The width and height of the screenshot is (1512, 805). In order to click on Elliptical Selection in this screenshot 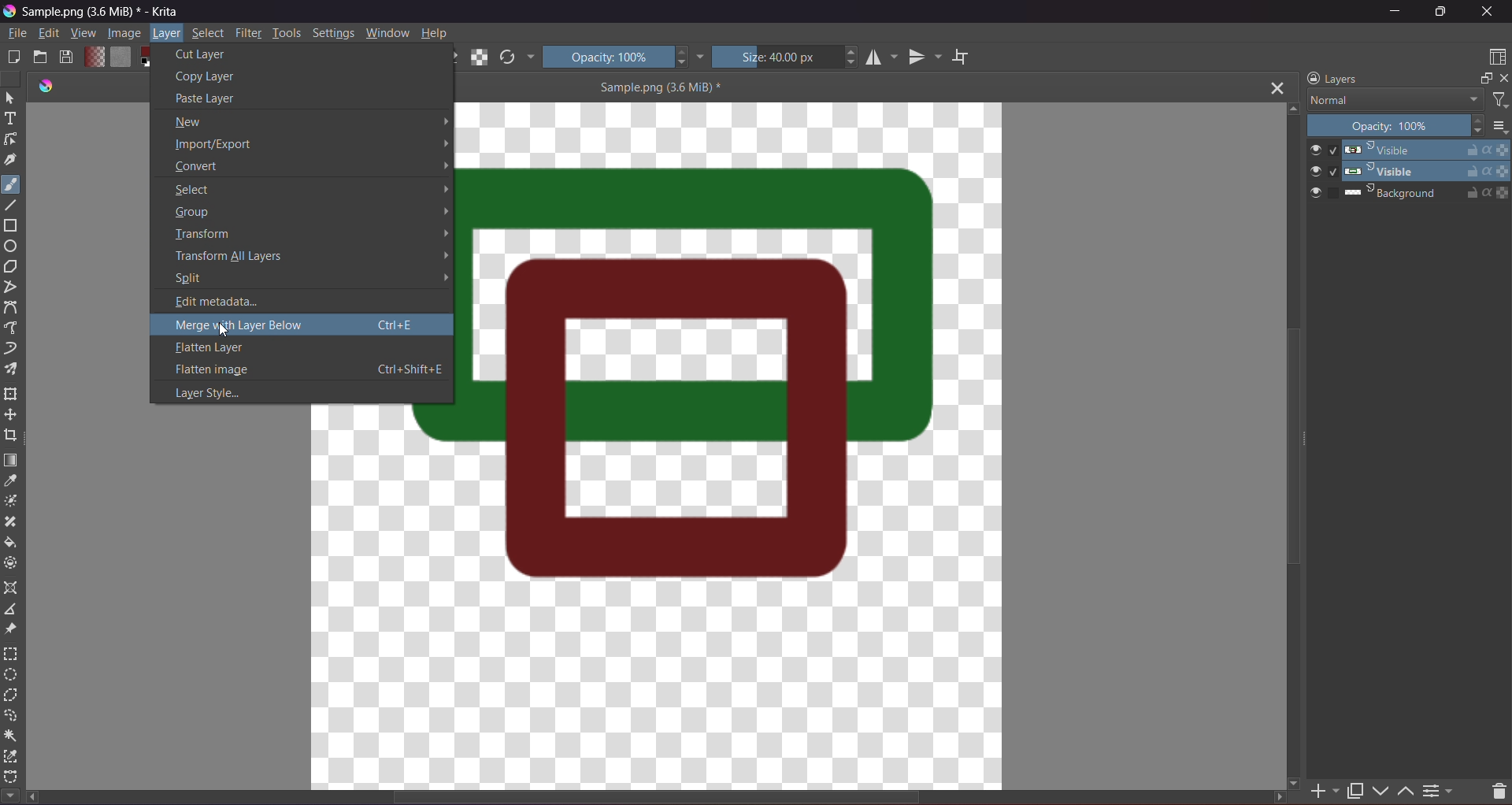, I will do `click(10, 675)`.